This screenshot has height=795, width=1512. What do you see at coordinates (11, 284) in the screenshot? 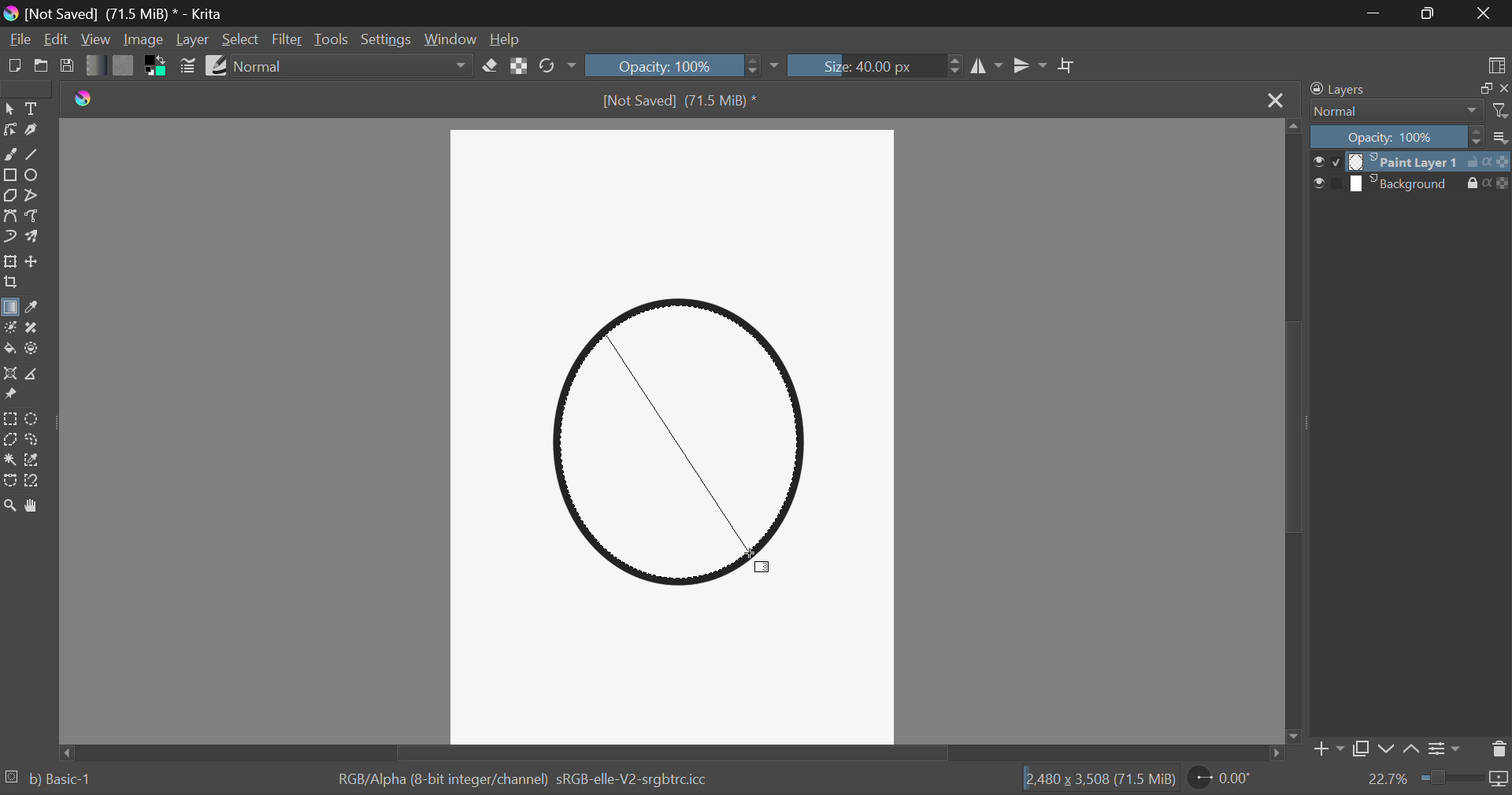
I see `Crop` at bounding box center [11, 284].